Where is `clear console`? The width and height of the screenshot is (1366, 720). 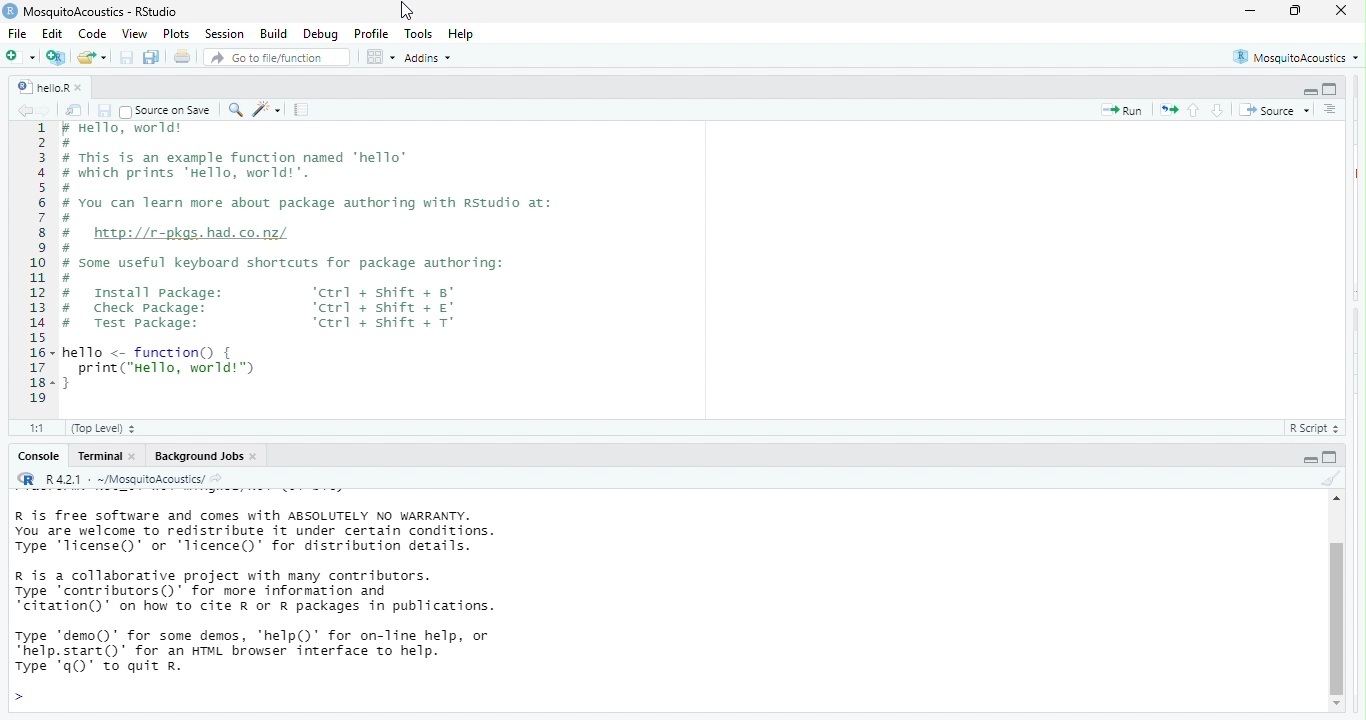
clear console is located at coordinates (1328, 481).